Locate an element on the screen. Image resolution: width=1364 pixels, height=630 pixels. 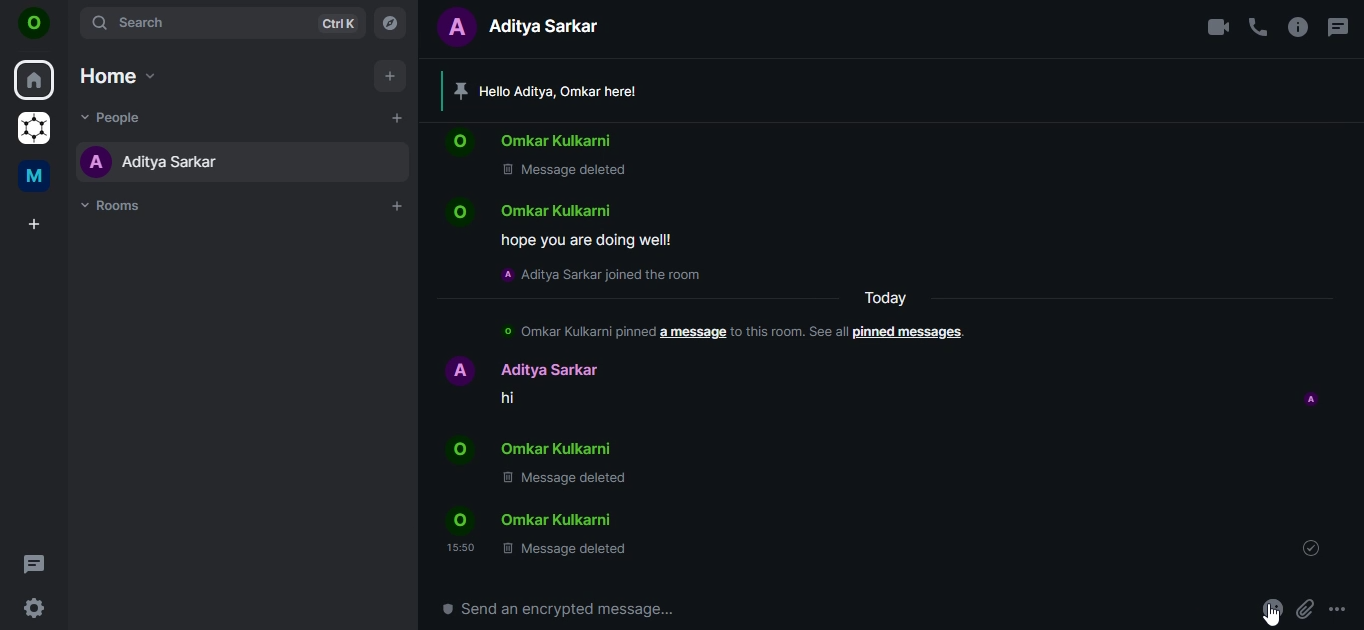
threads is located at coordinates (1338, 27).